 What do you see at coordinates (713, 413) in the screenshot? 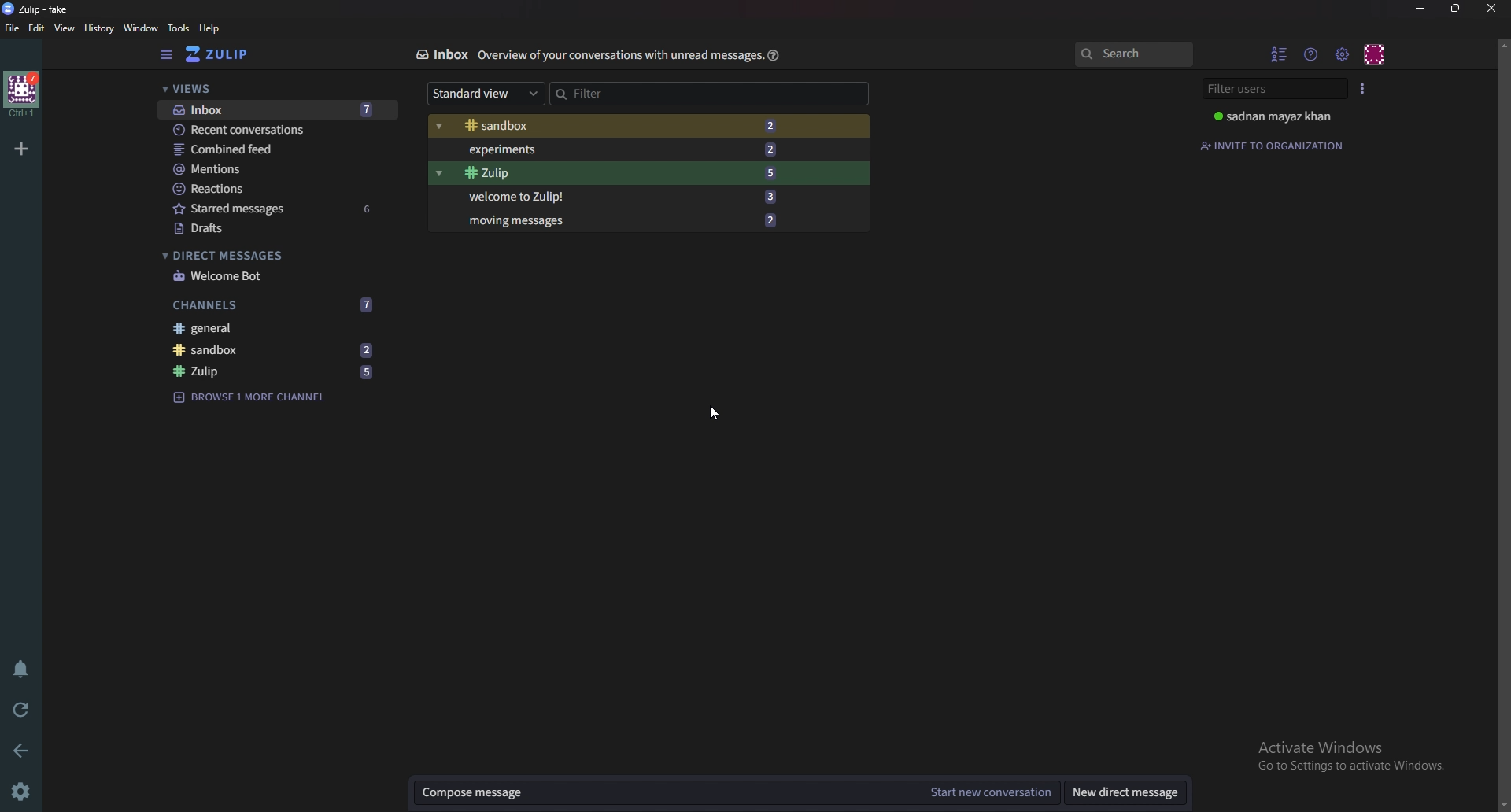
I see `Cursor` at bounding box center [713, 413].